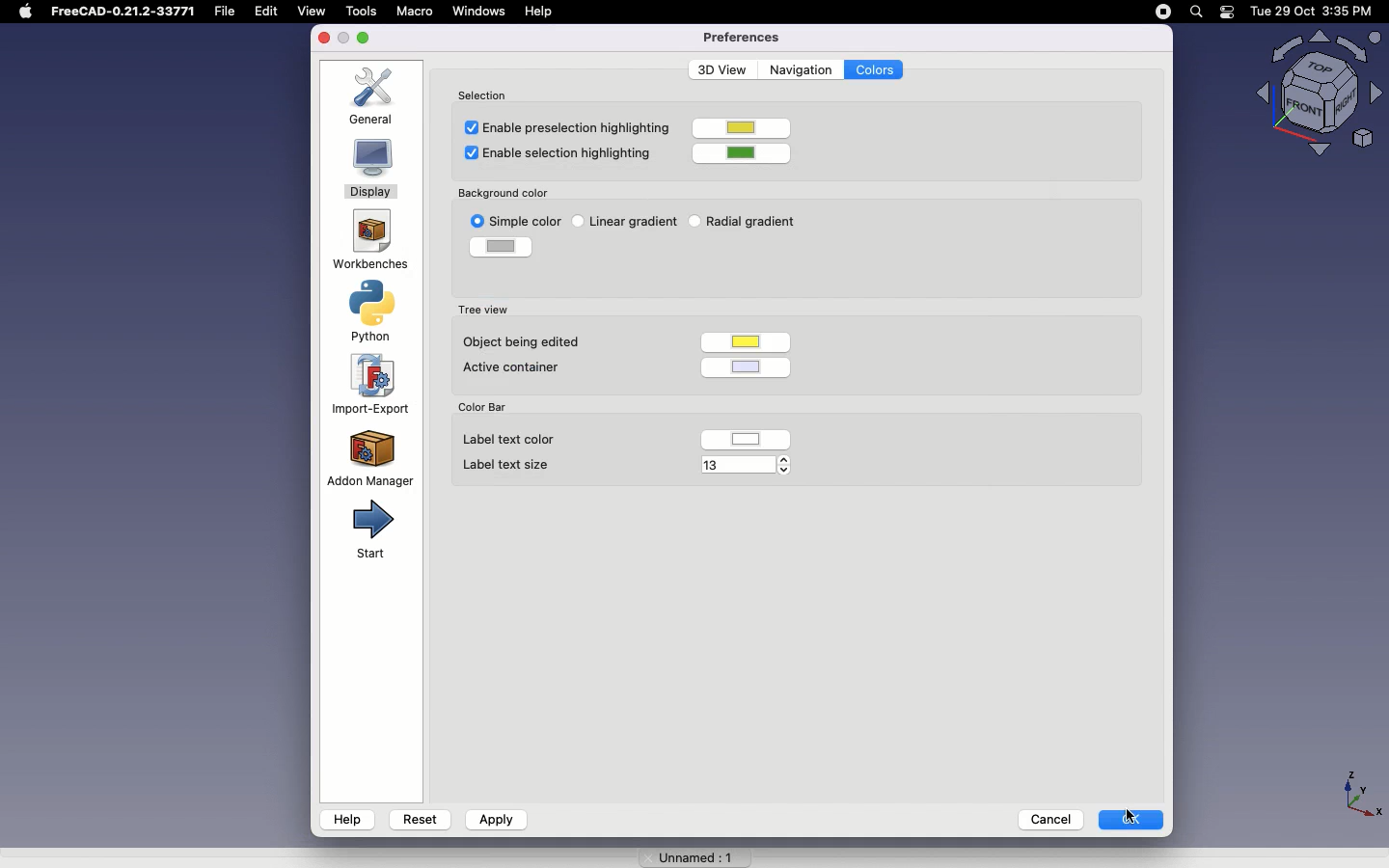 The image size is (1389, 868). I want to click on Background will have selected color, so click(607, 278).